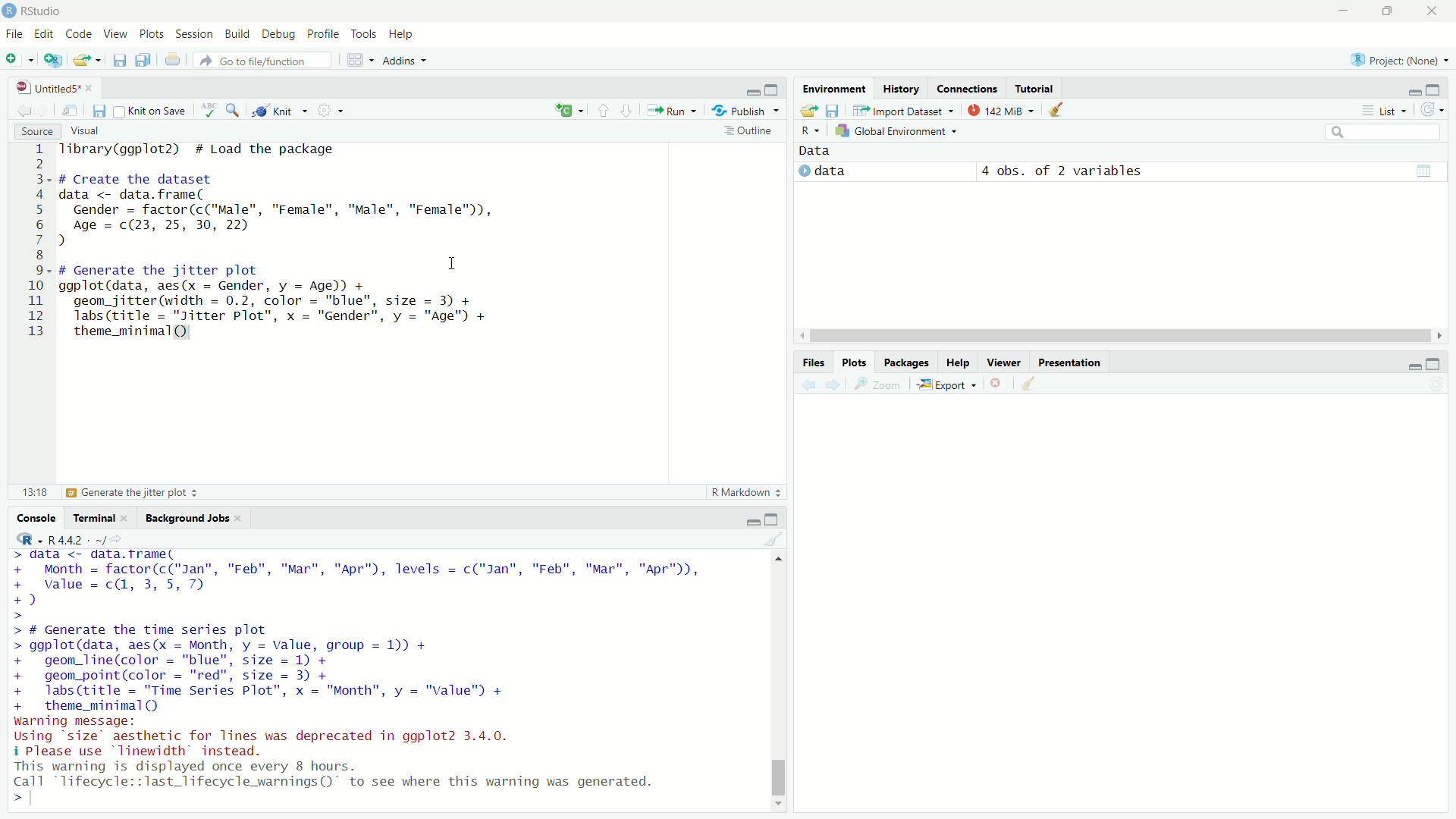 This screenshot has height=819, width=1456. What do you see at coordinates (968, 87) in the screenshot?
I see `connections` at bounding box center [968, 87].